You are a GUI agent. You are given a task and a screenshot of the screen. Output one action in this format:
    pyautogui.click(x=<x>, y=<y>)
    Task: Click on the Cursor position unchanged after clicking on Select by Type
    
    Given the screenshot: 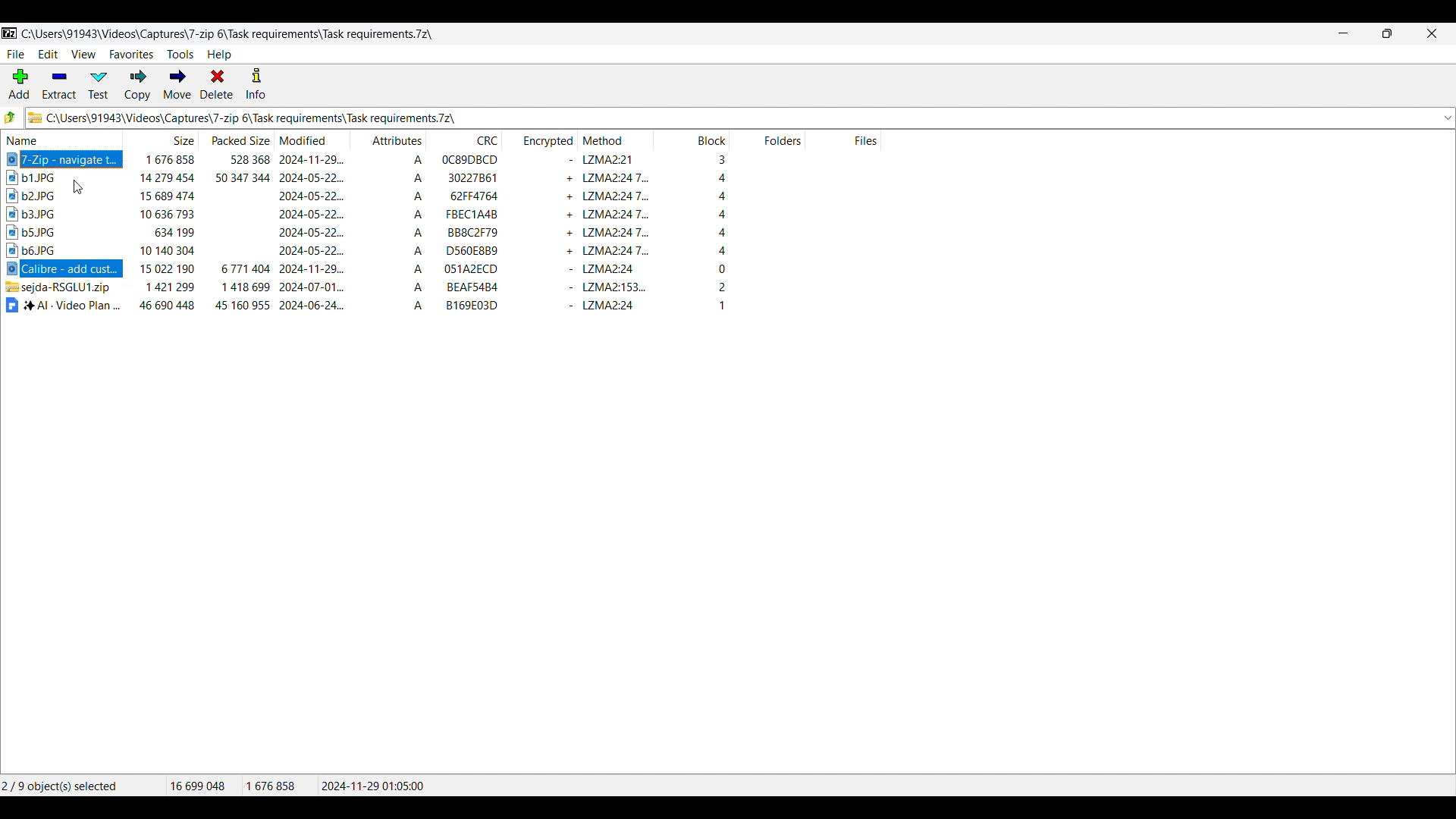 What is the action you would take?
    pyautogui.click(x=77, y=187)
    